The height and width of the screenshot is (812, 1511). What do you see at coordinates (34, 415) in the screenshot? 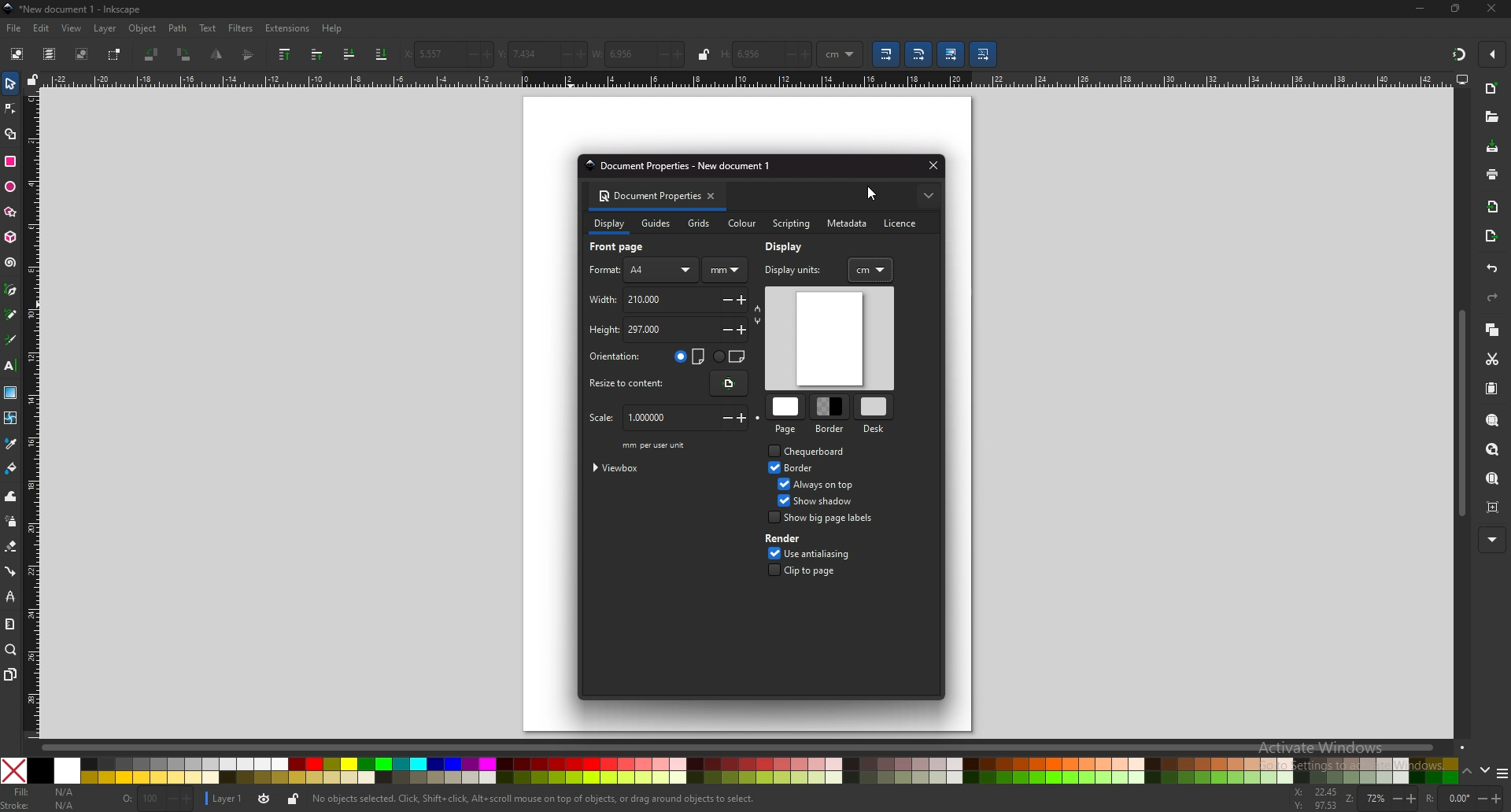
I see `vertical ruler` at bounding box center [34, 415].